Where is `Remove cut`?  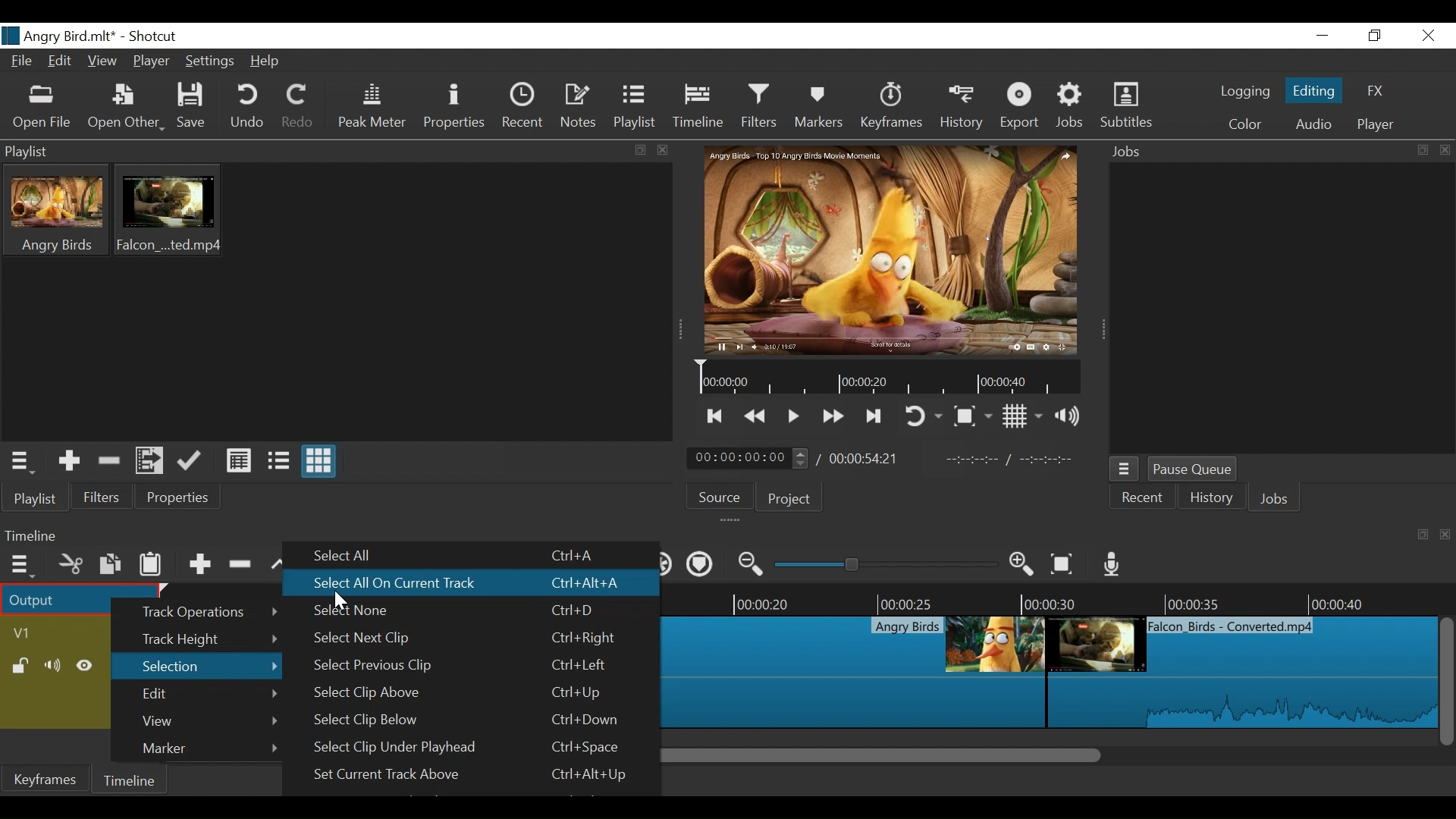 Remove cut is located at coordinates (110, 460).